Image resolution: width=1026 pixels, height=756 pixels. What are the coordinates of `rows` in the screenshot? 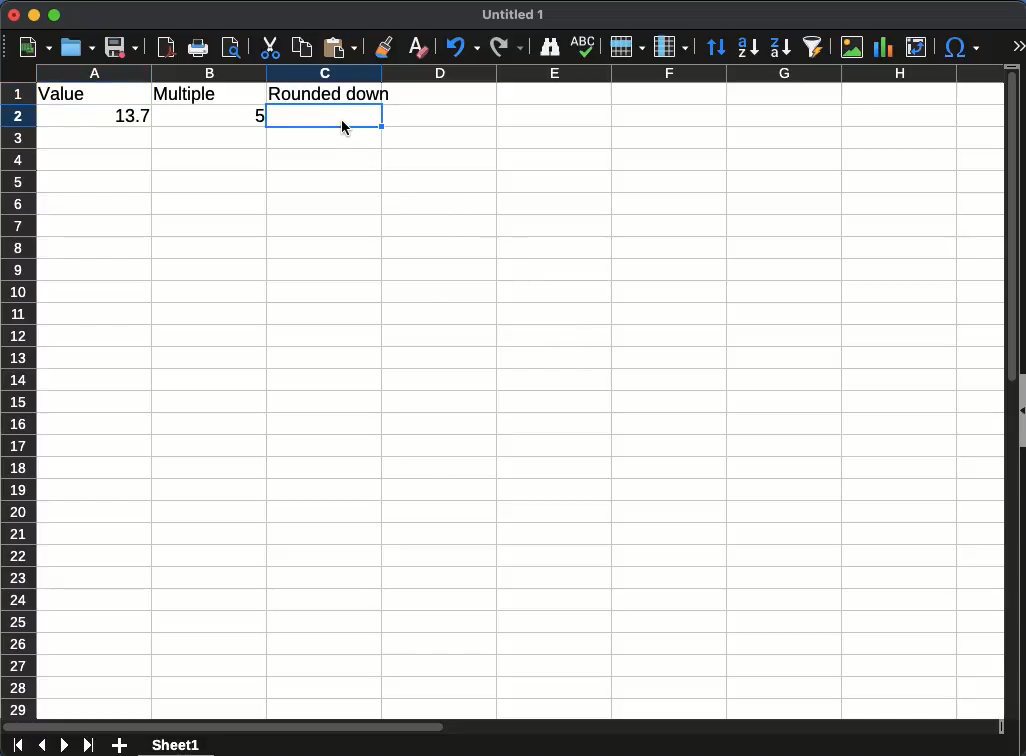 It's located at (628, 47).